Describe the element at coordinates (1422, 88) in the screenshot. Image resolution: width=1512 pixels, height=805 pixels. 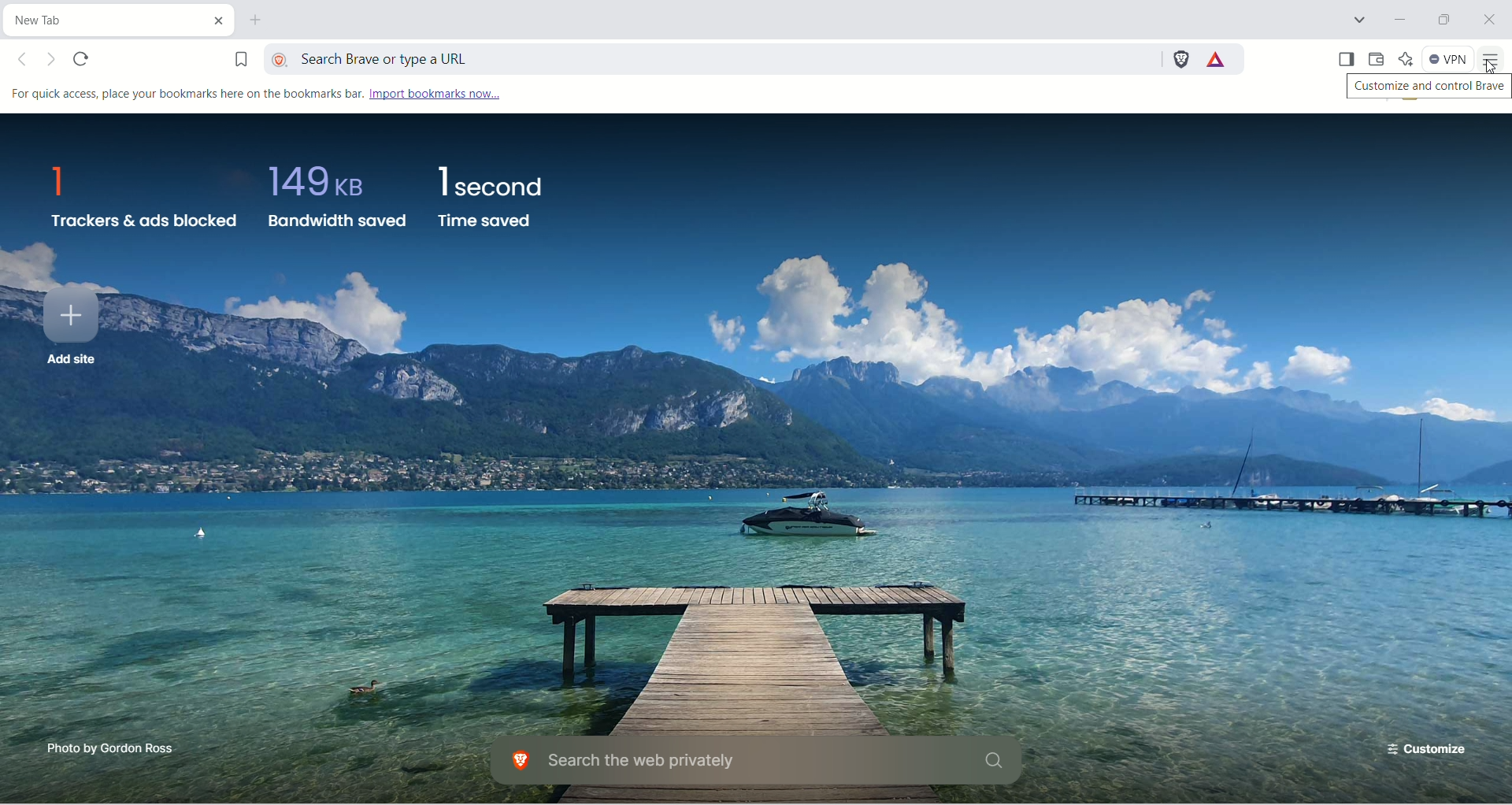
I see `customize and control brave` at that location.